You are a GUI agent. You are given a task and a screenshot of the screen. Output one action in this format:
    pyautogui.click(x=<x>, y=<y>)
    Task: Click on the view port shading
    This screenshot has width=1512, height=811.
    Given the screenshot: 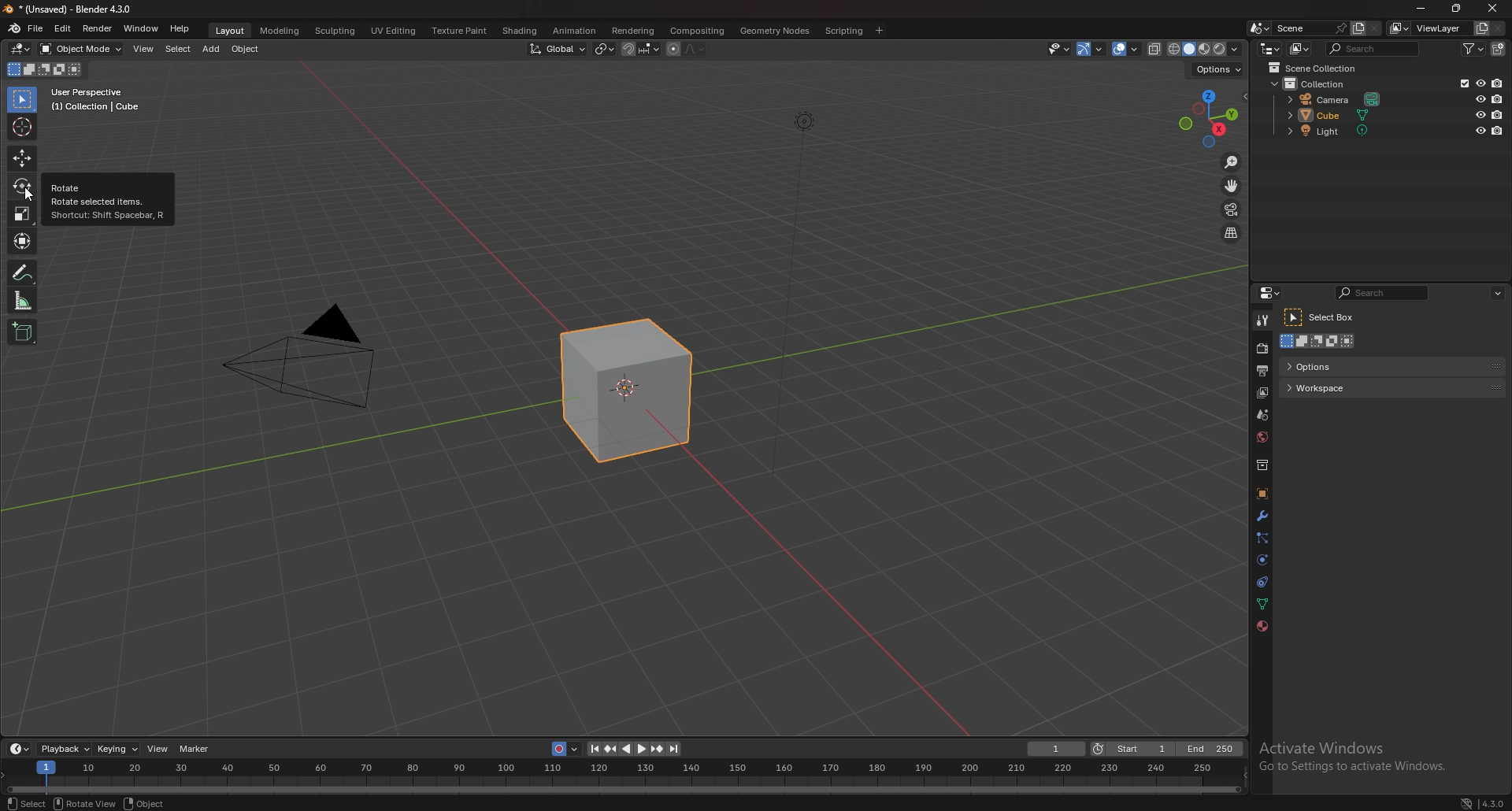 What is the action you would take?
    pyautogui.click(x=1206, y=49)
    